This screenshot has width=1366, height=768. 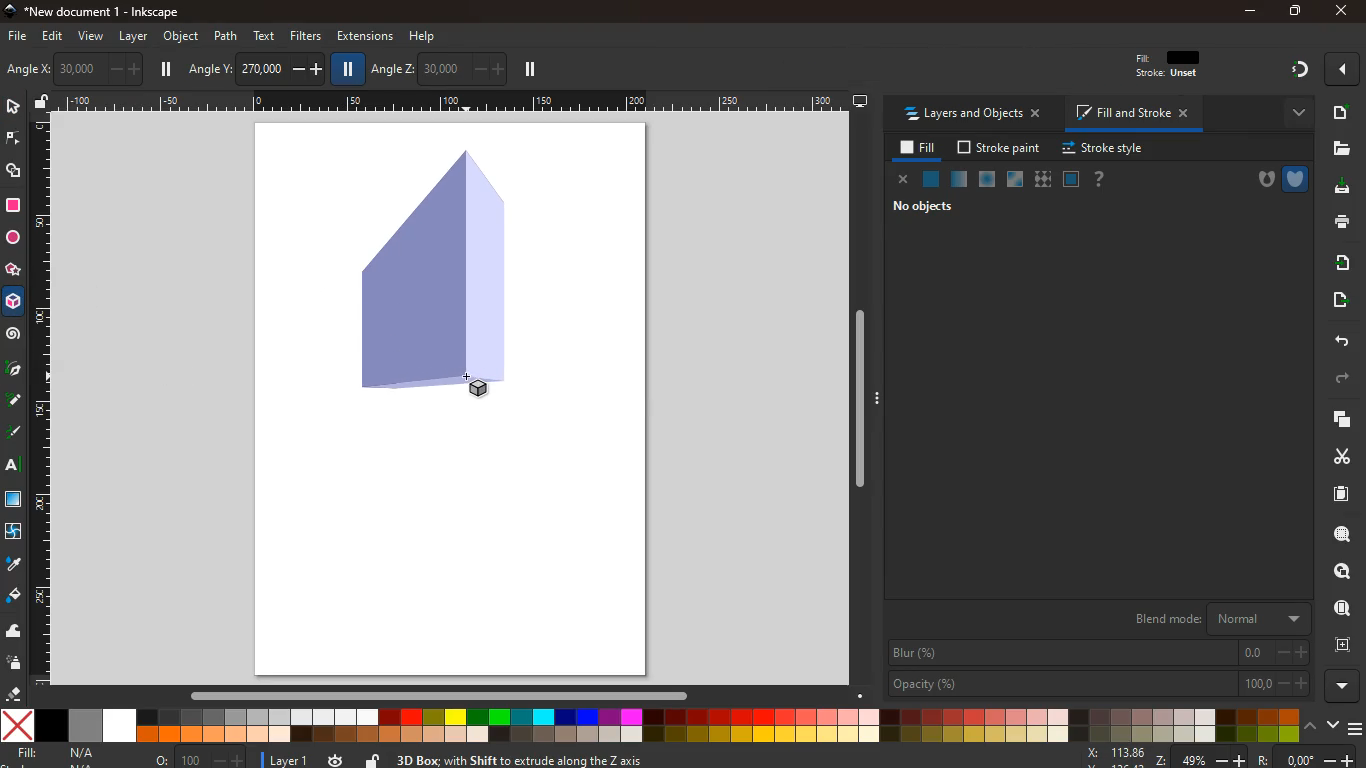 I want to click on inkscape, so click(x=108, y=12).